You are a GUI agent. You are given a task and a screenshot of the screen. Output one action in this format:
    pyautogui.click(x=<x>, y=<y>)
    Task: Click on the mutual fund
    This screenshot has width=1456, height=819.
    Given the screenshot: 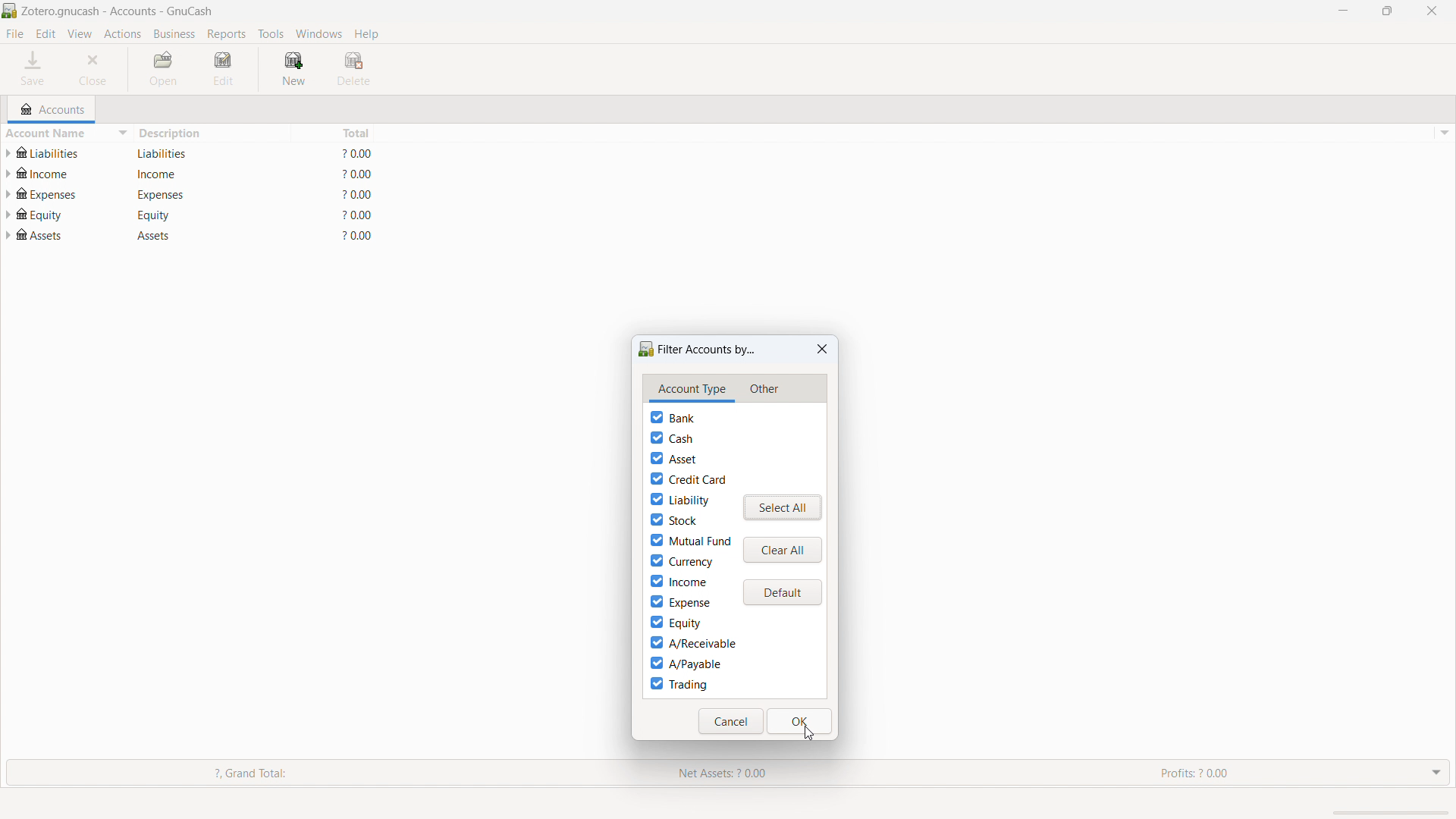 What is the action you would take?
    pyautogui.click(x=690, y=540)
    